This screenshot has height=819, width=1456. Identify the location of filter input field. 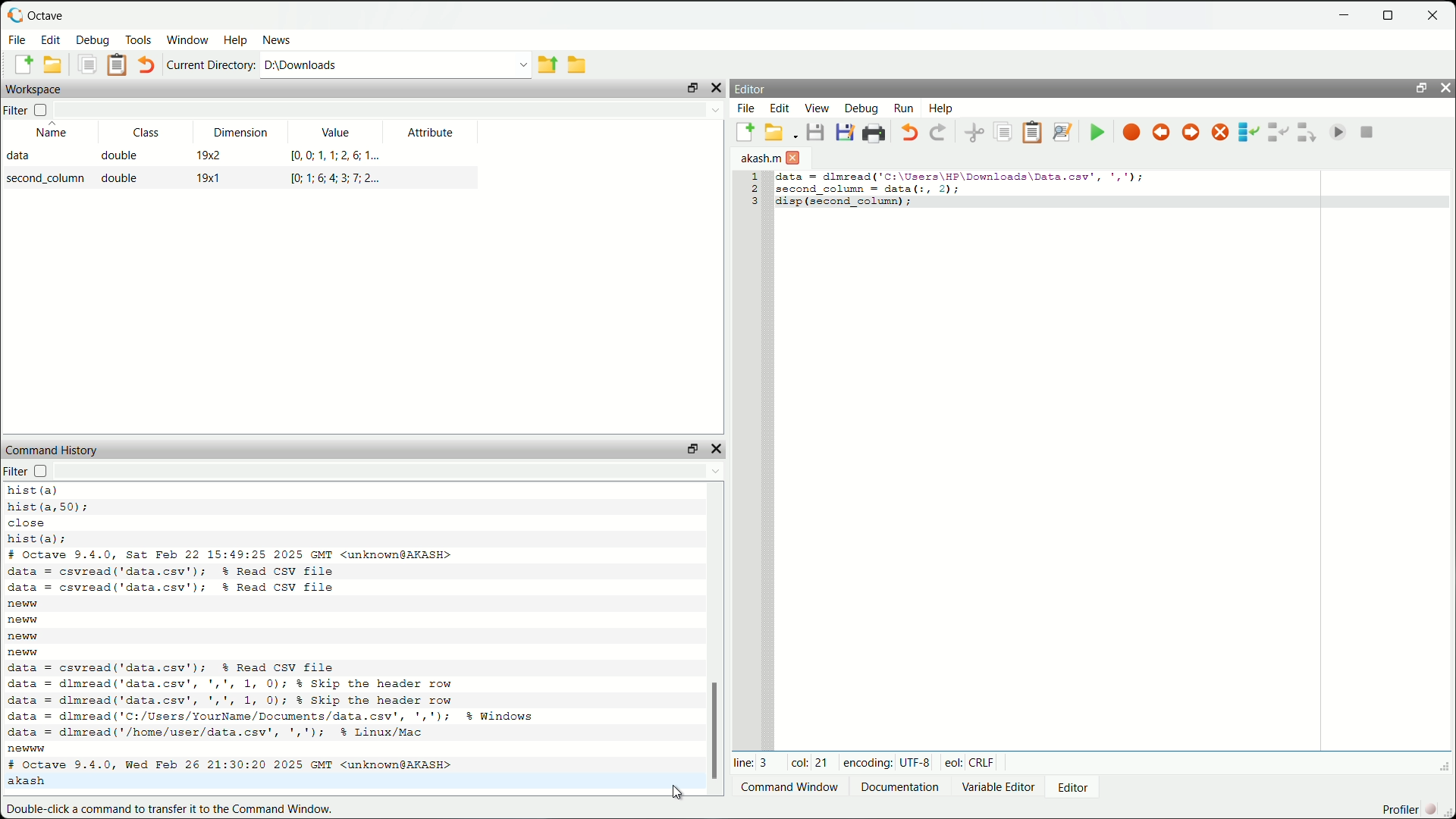
(395, 111).